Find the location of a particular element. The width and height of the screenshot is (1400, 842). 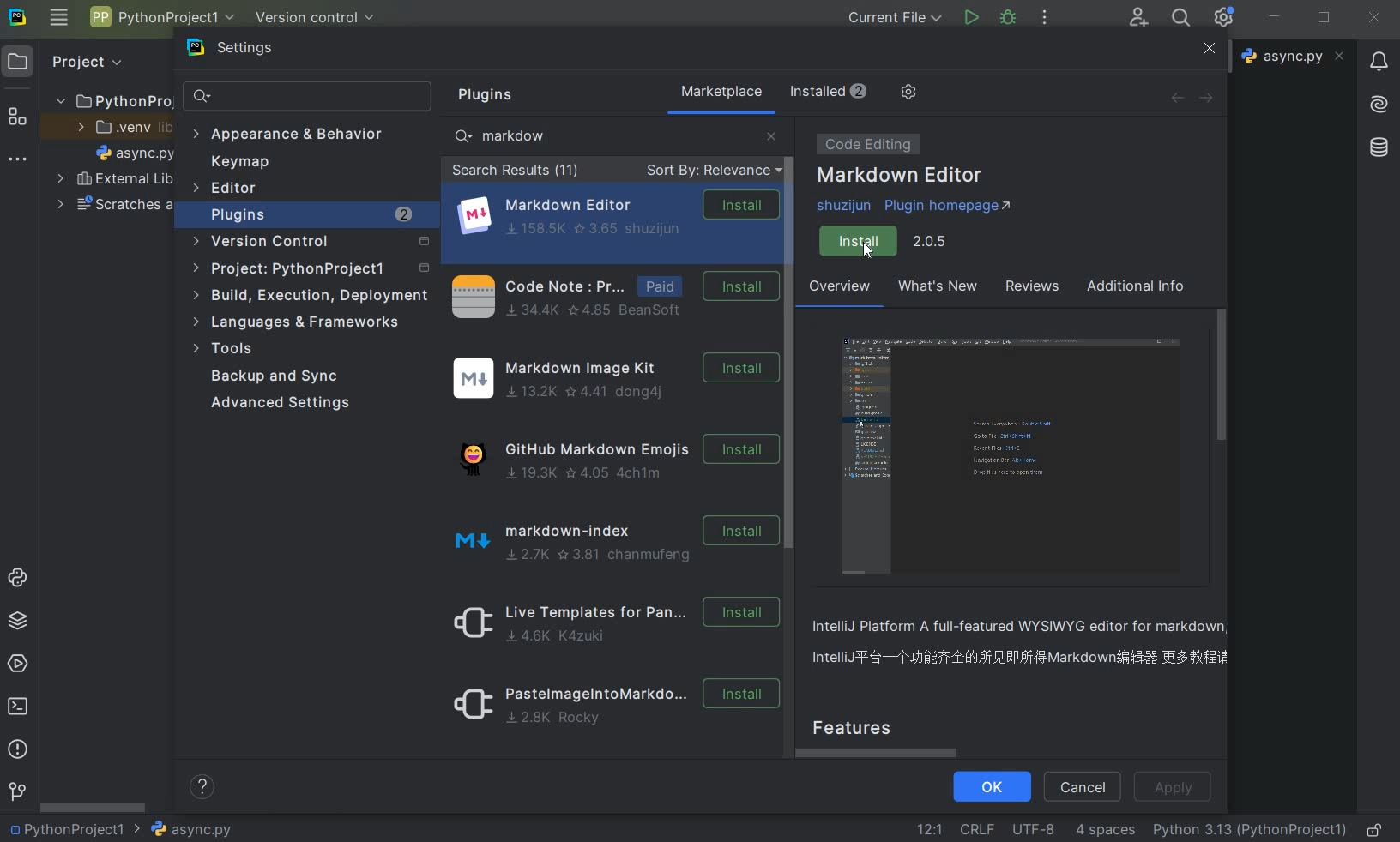

plugins is located at coordinates (492, 95).